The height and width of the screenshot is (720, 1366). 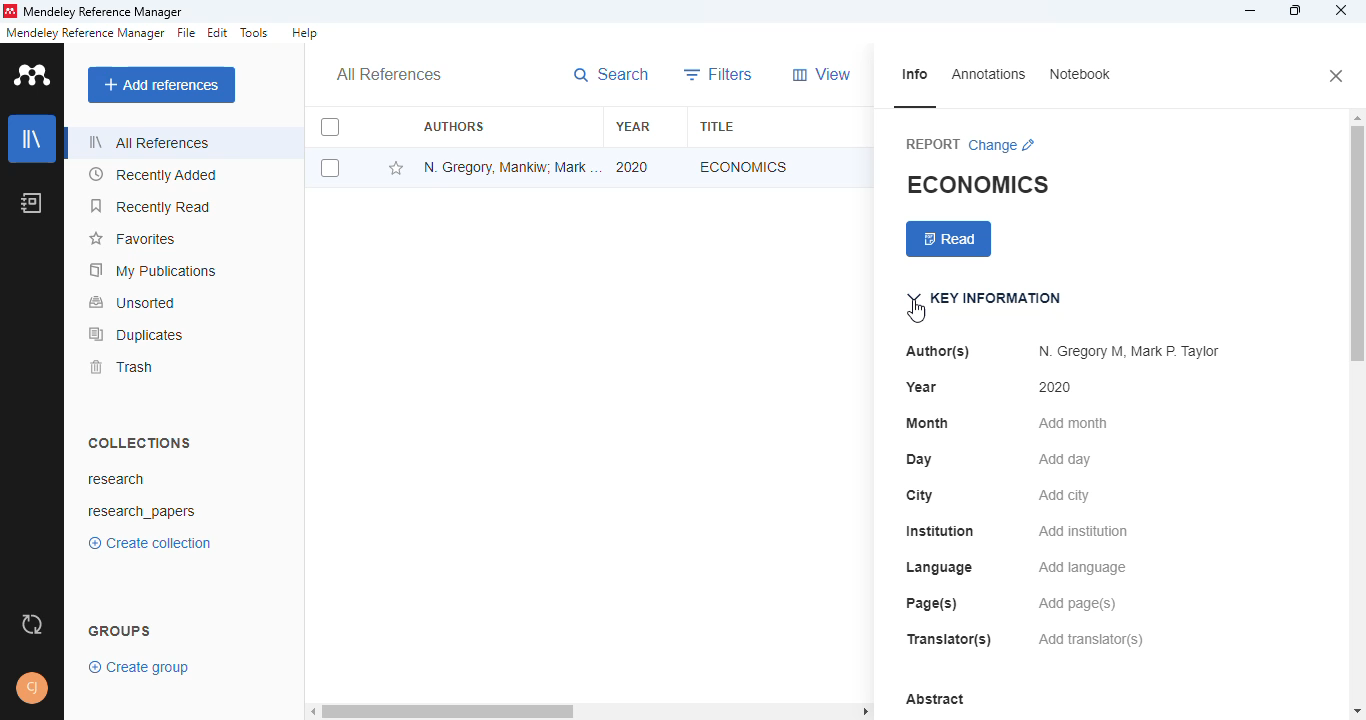 What do you see at coordinates (454, 125) in the screenshot?
I see `authors` at bounding box center [454, 125].